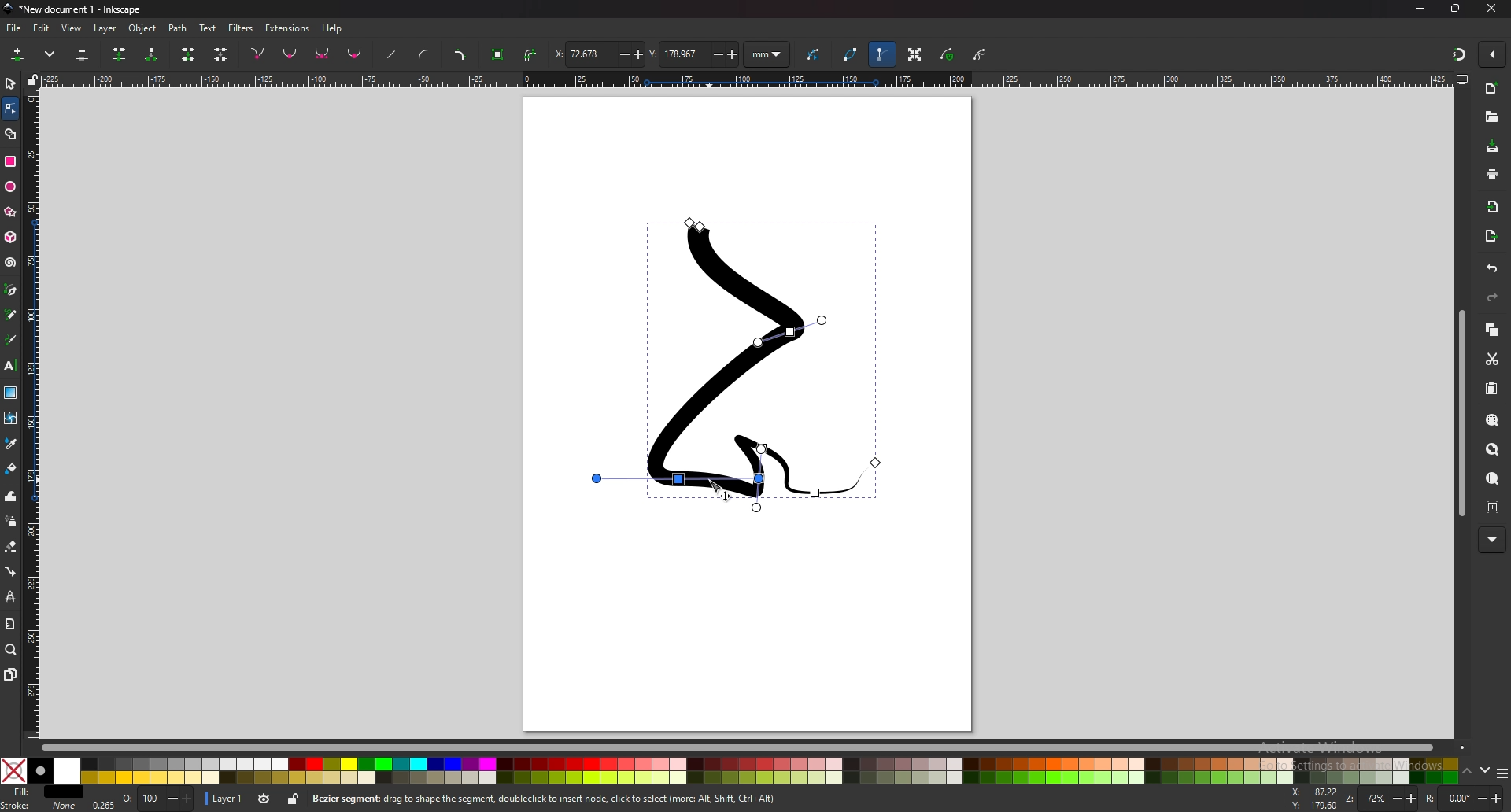 This screenshot has width=1511, height=812. Describe the element at coordinates (83, 55) in the screenshot. I see `delete selected nodes` at that location.